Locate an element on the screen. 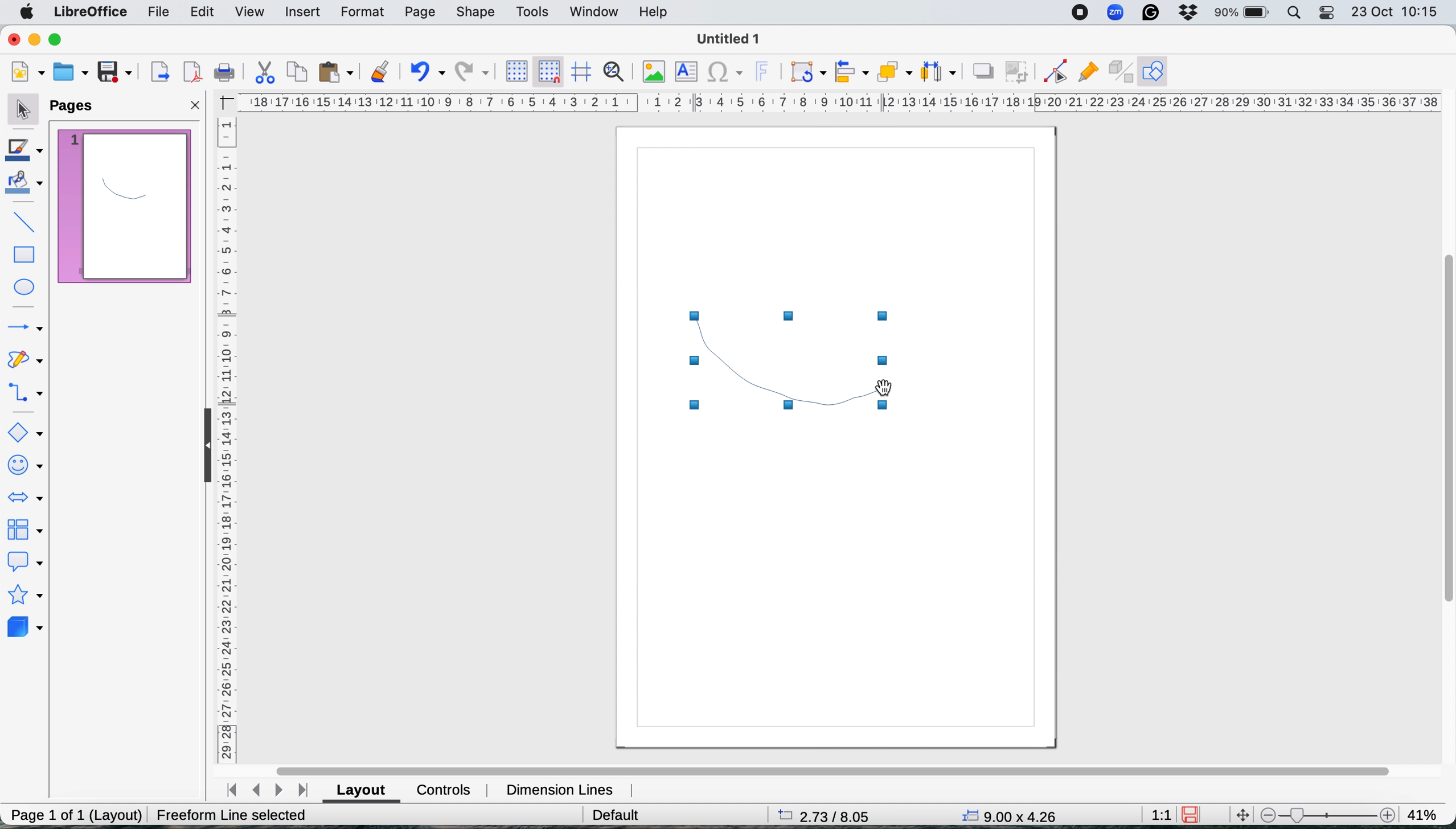 The width and height of the screenshot is (1456, 829). selection tool is located at coordinates (21, 108).